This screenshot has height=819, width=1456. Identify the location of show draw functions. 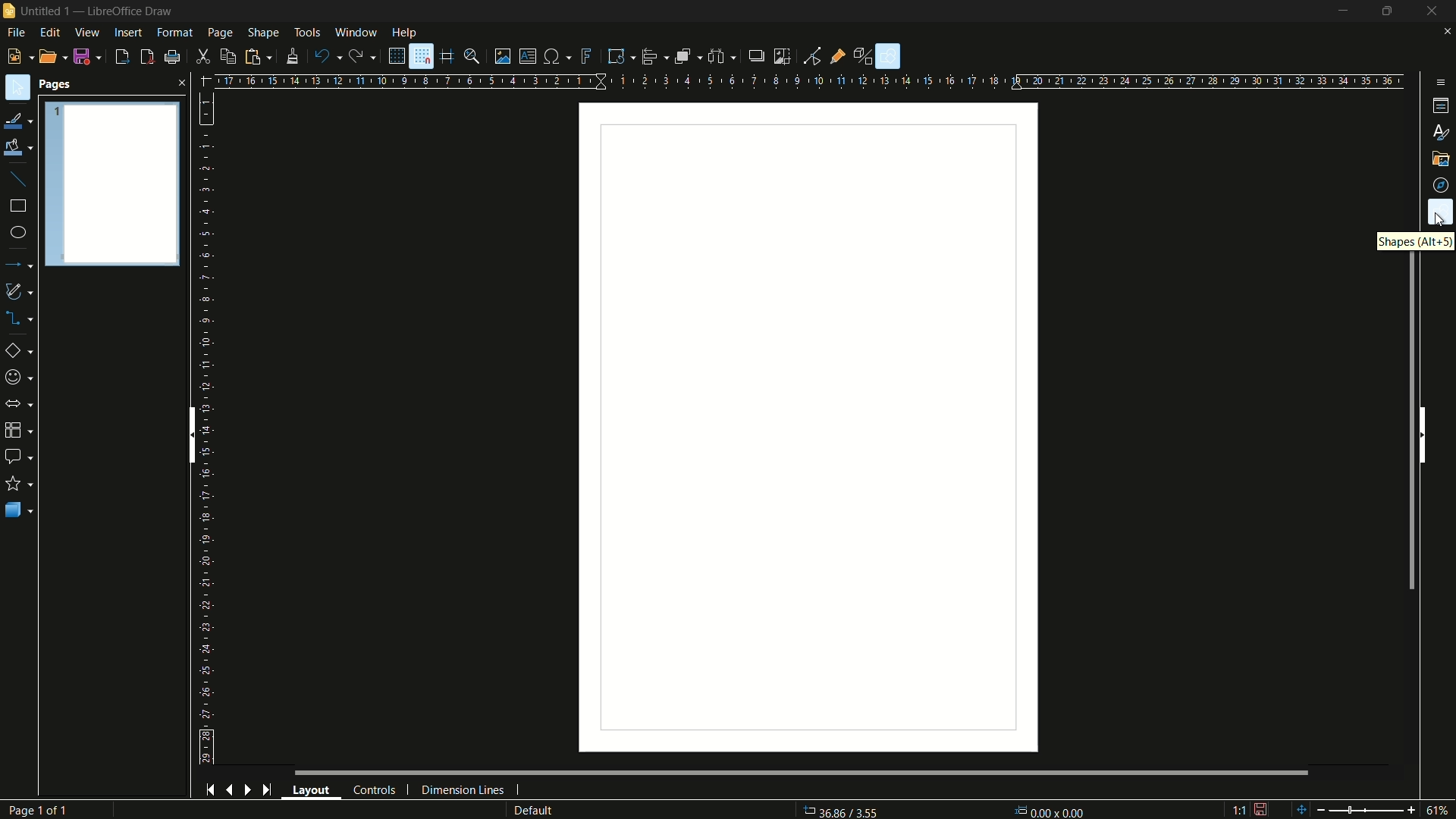
(887, 56).